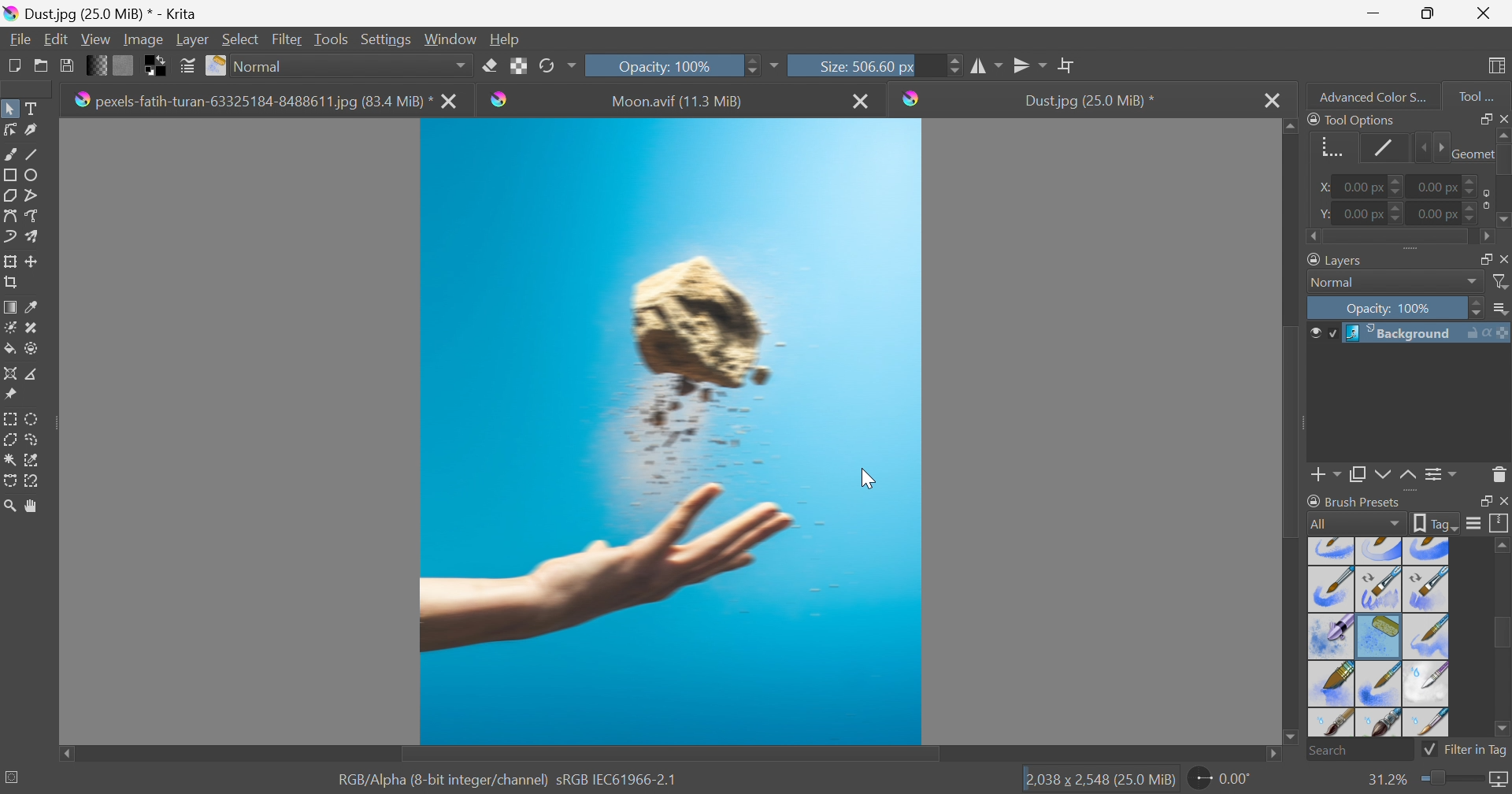 The width and height of the screenshot is (1512, 794). What do you see at coordinates (192, 38) in the screenshot?
I see `Layer` at bounding box center [192, 38].